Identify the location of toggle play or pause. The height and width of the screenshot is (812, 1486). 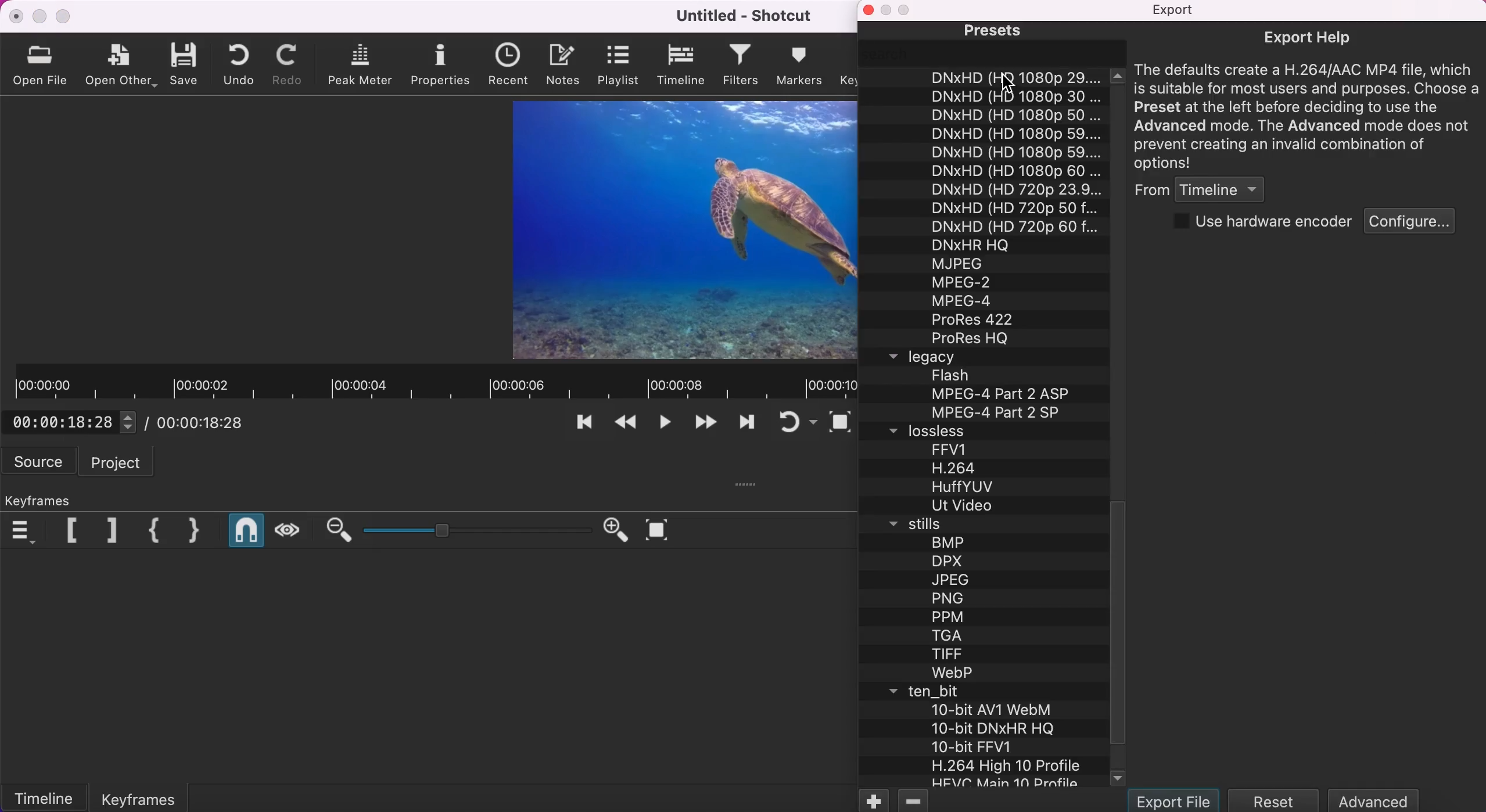
(668, 426).